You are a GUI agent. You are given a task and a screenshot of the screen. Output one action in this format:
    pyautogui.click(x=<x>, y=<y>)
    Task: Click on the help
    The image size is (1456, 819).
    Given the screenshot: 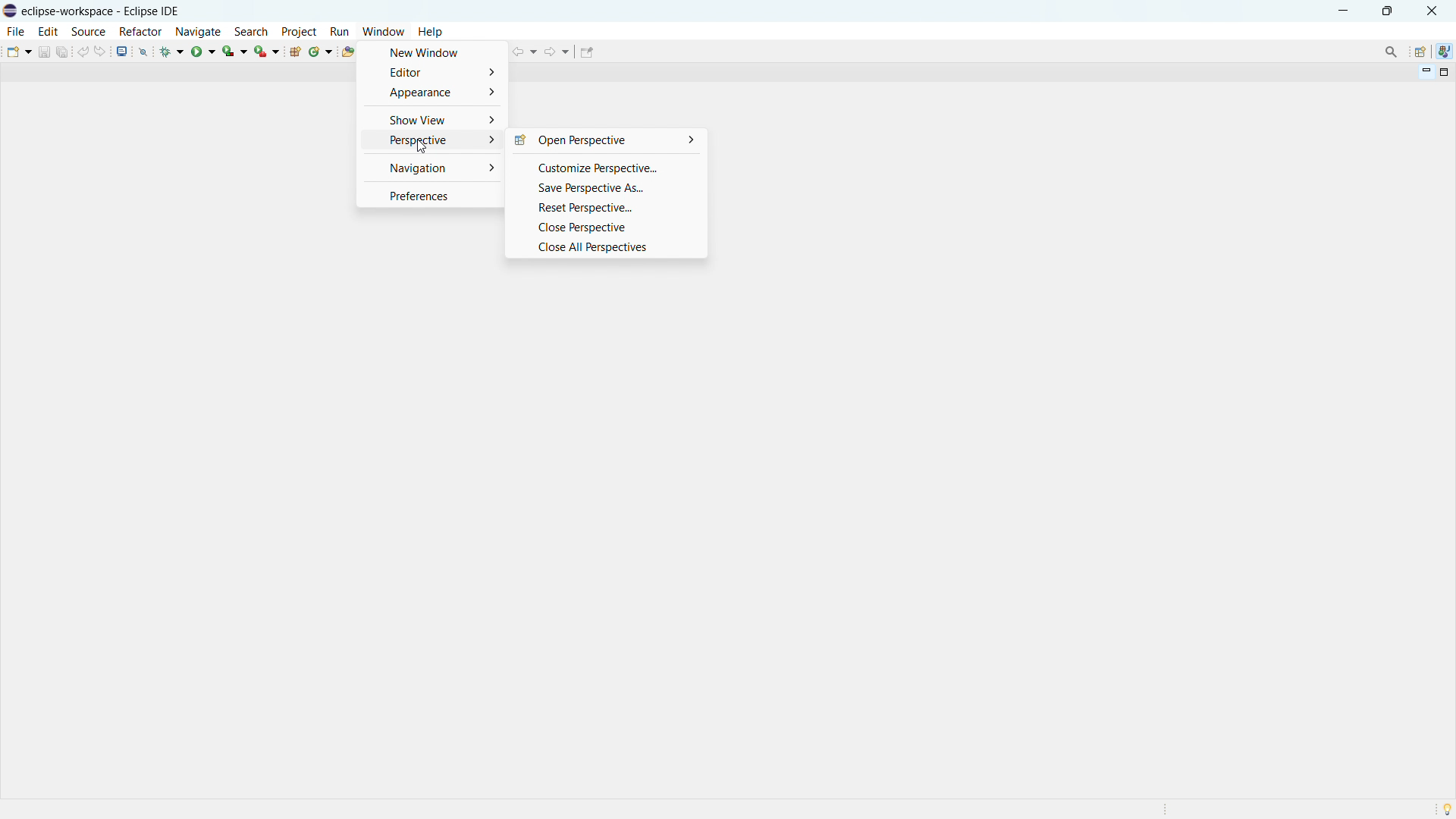 What is the action you would take?
    pyautogui.click(x=431, y=32)
    